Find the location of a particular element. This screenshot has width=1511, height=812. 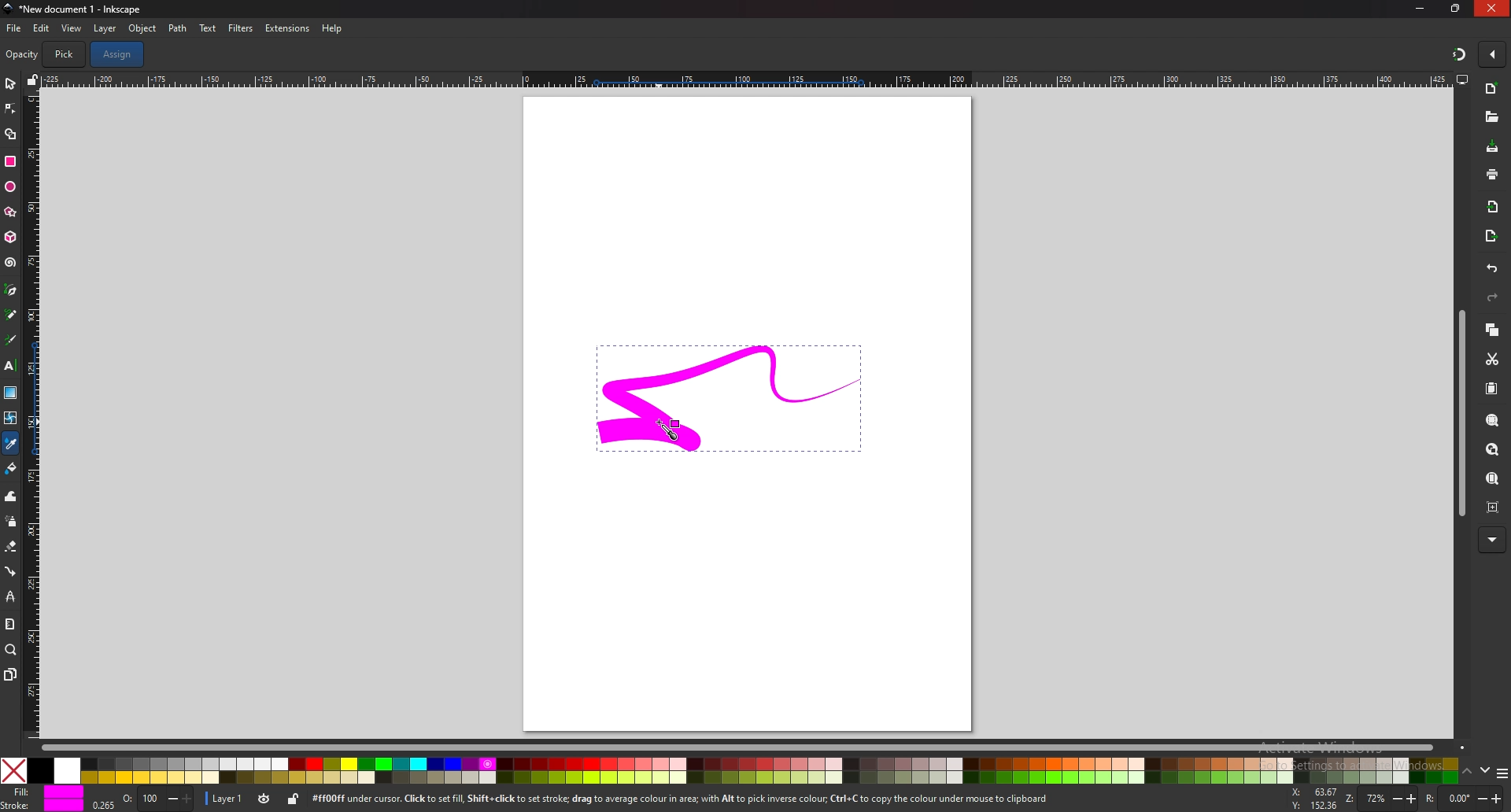

fill bucket is located at coordinates (13, 469).